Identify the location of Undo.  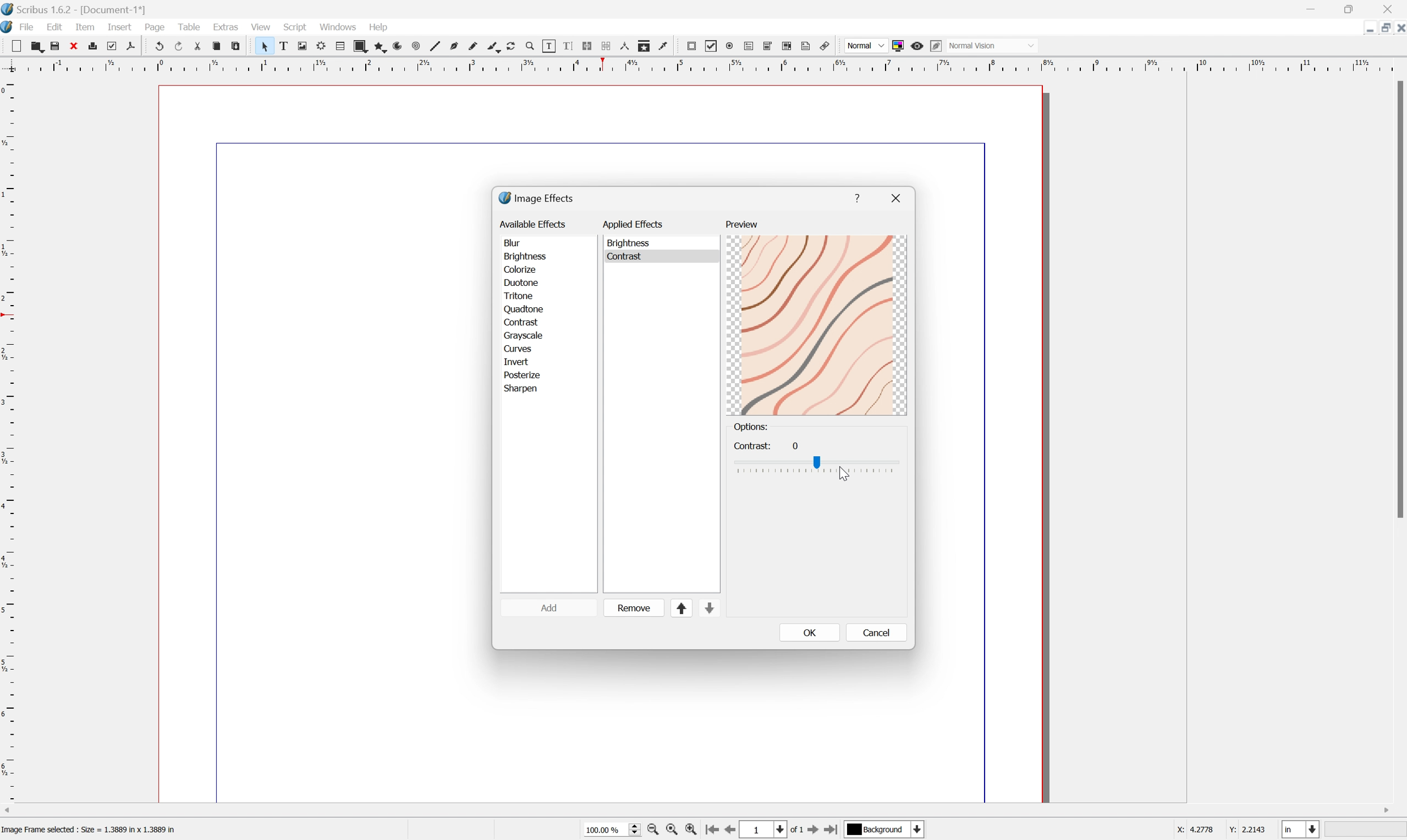
(158, 46).